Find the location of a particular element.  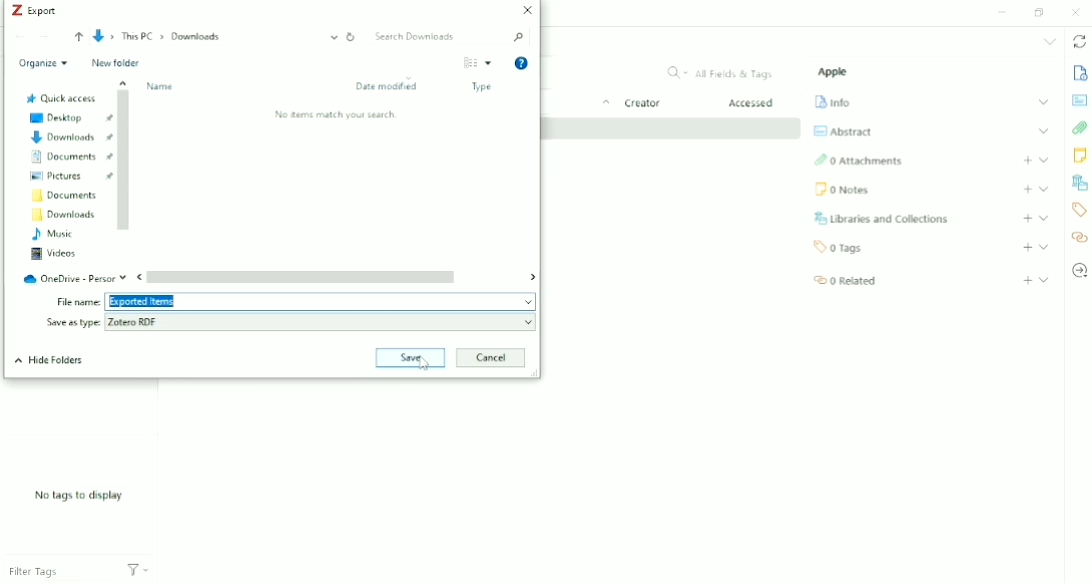

Horizontal scrollbar is located at coordinates (335, 277).